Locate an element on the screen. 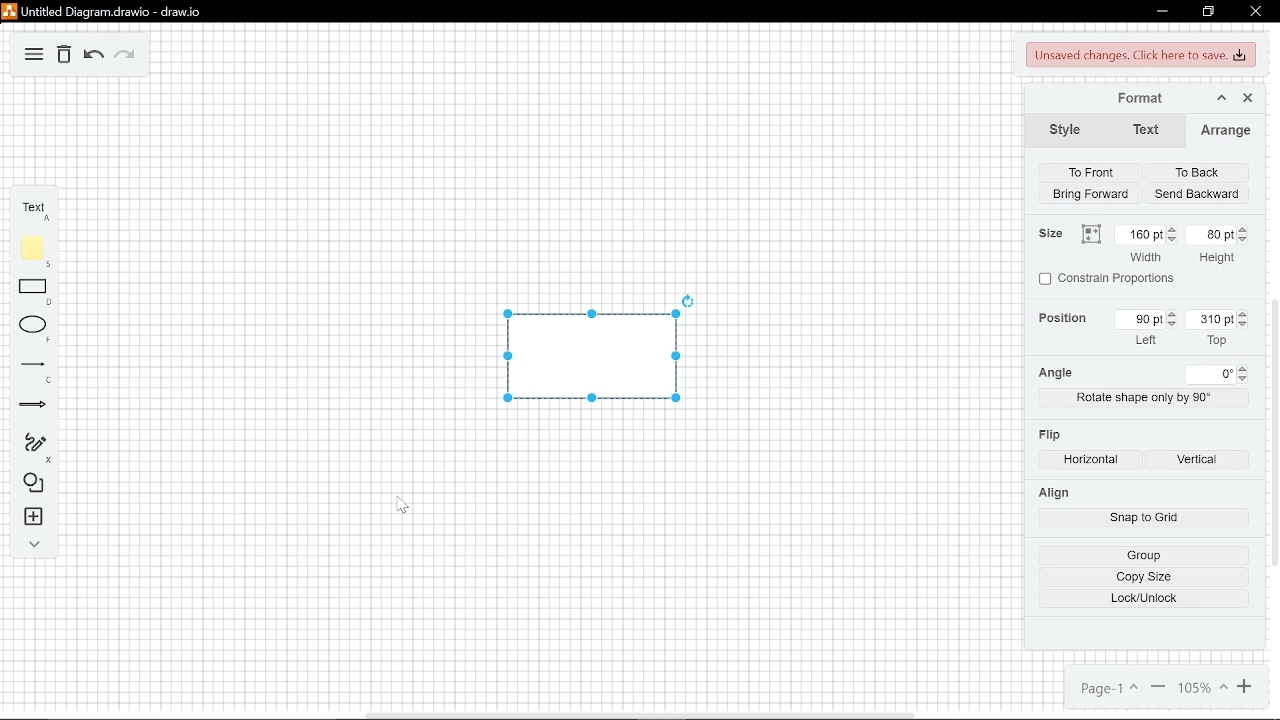 Image resolution: width=1280 pixels, height=720 pixels. decrease top position is located at coordinates (1243, 325).